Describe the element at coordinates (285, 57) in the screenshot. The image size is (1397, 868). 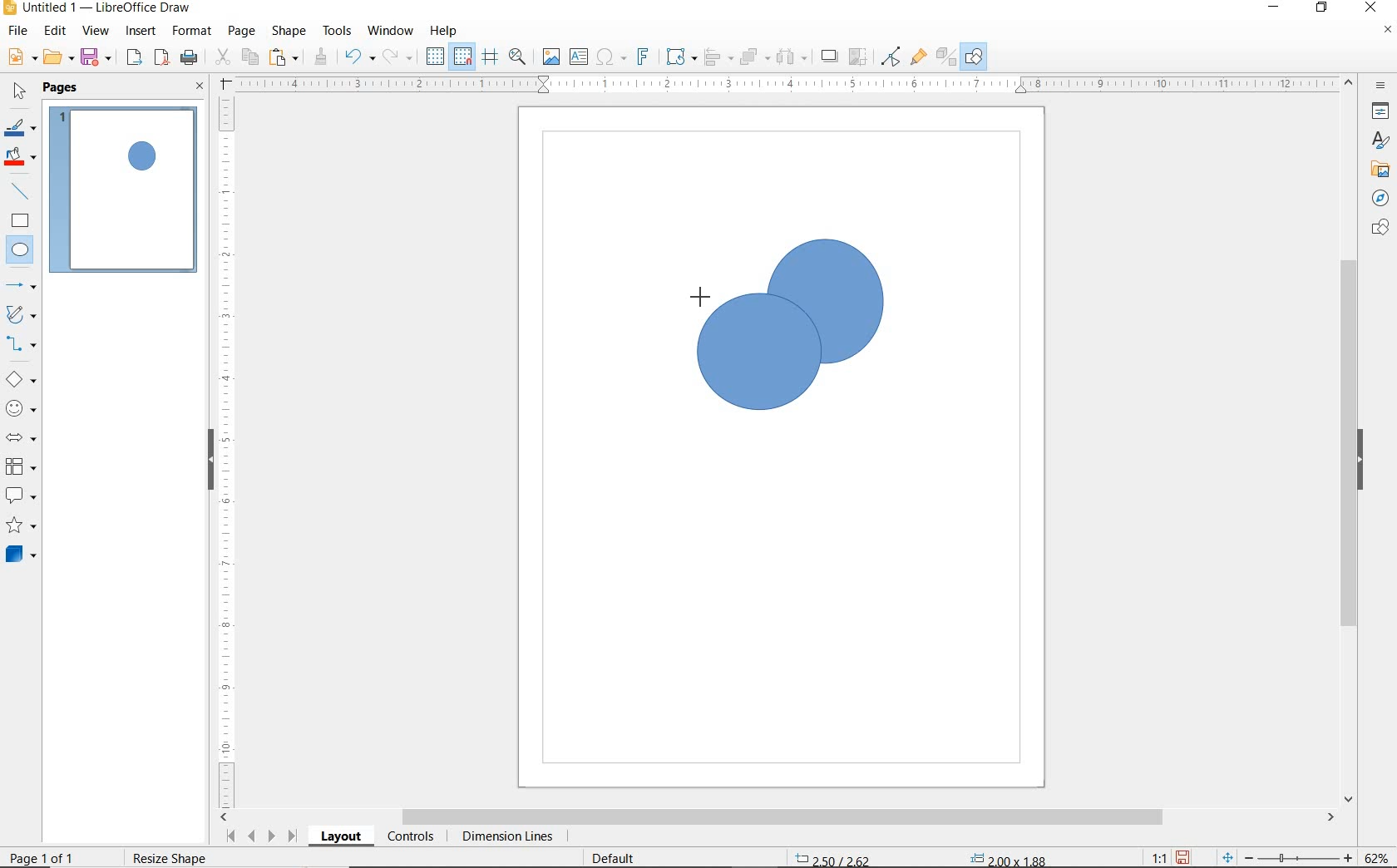
I see `PASTE` at that location.